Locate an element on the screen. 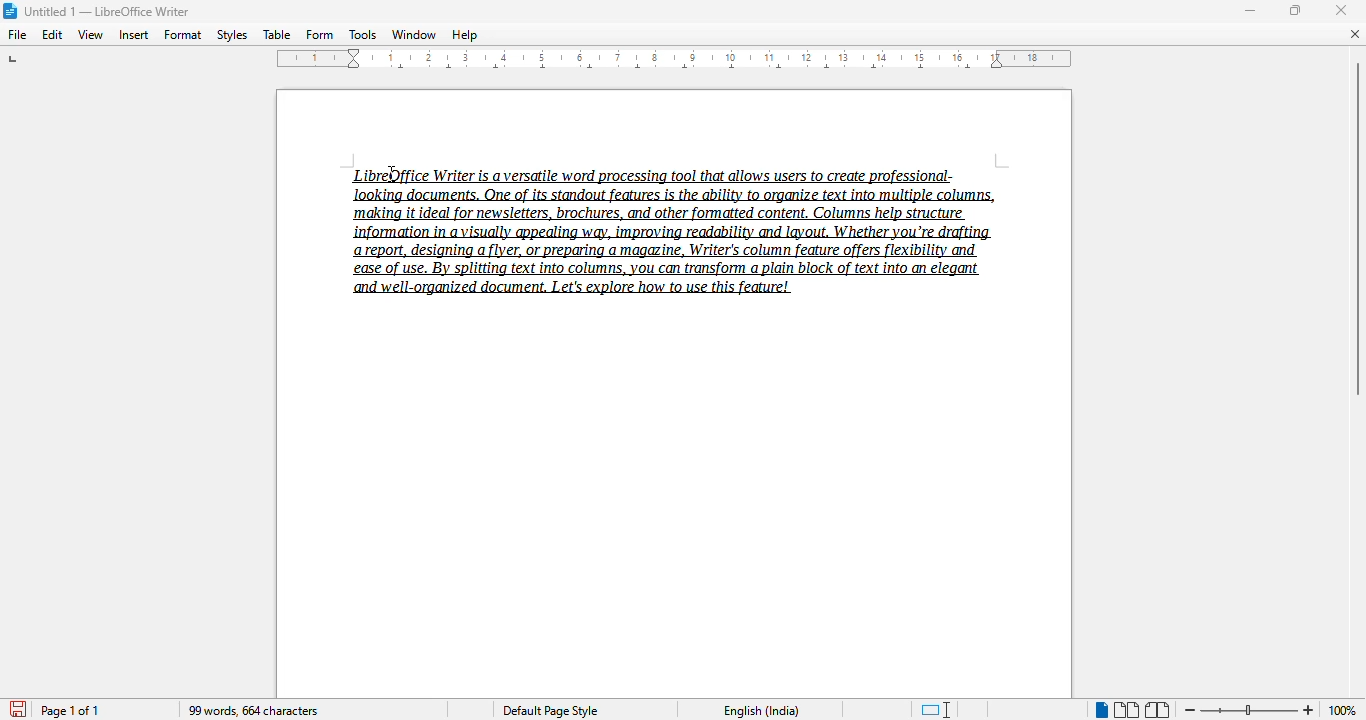 The image size is (1366, 720). insert is located at coordinates (133, 35).